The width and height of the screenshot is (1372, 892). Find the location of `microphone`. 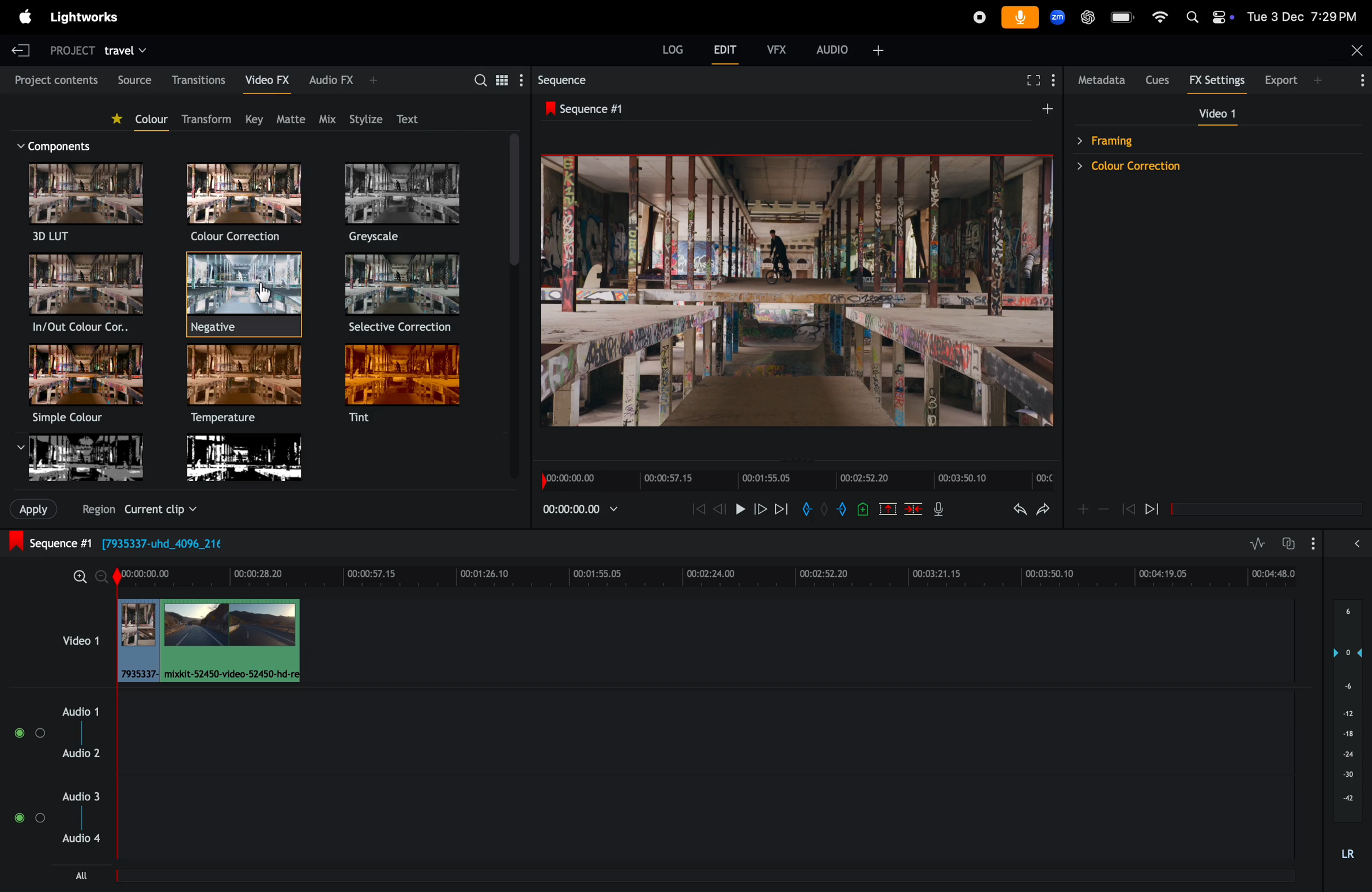

microphone is located at coordinates (1021, 18).